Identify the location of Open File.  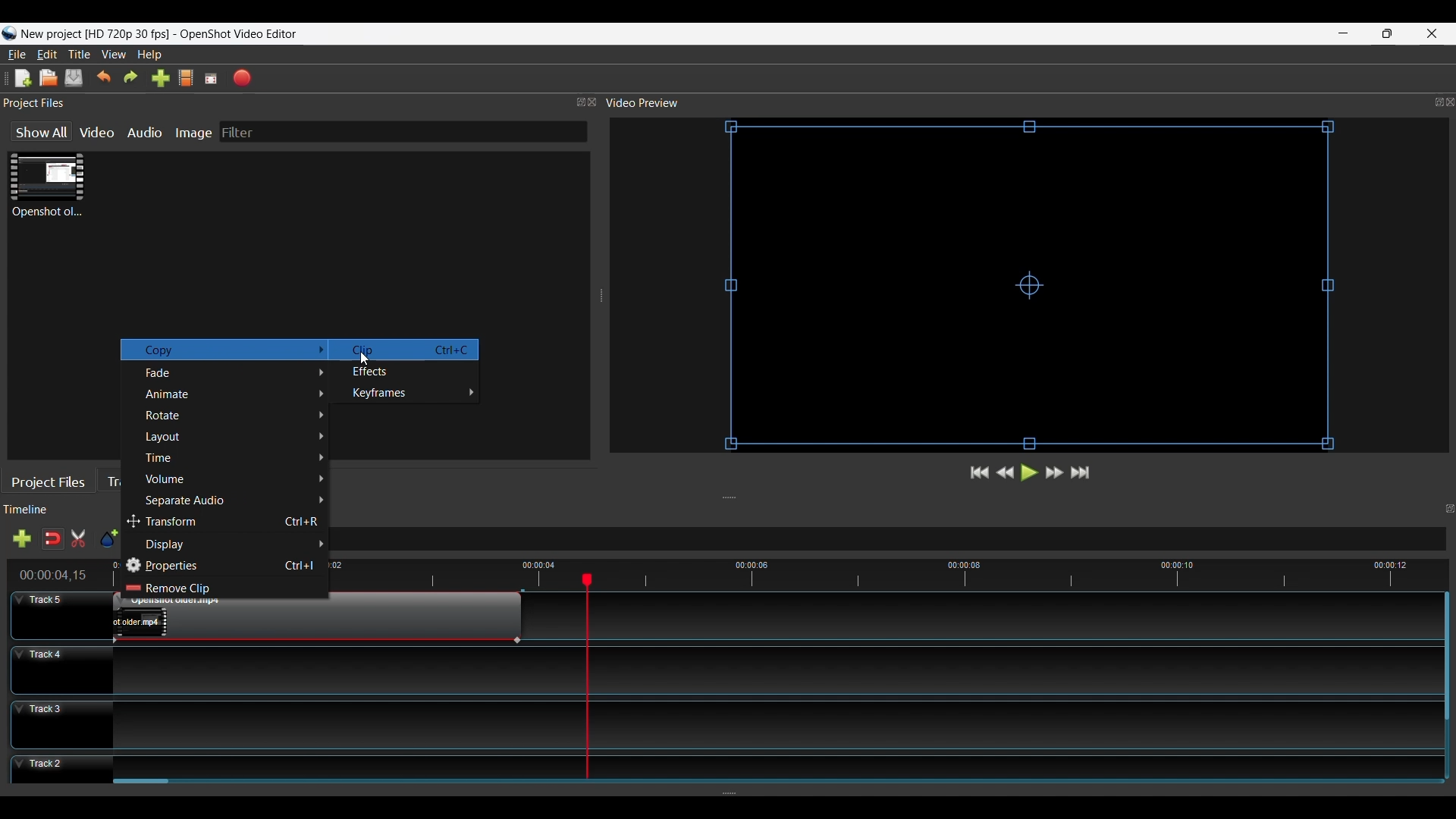
(48, 78).